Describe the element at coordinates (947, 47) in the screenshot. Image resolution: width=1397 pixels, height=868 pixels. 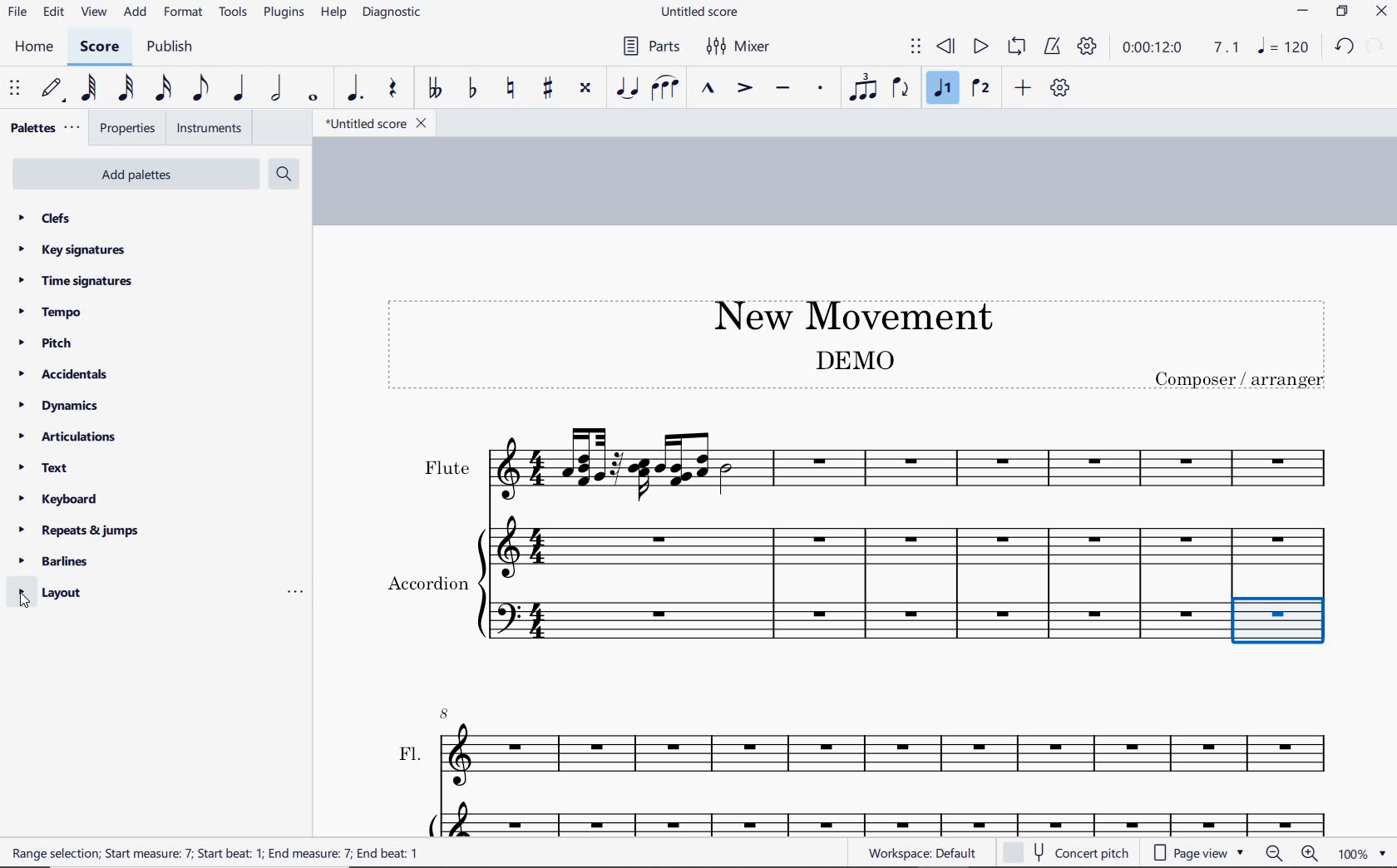
I see `rewind` at that location.